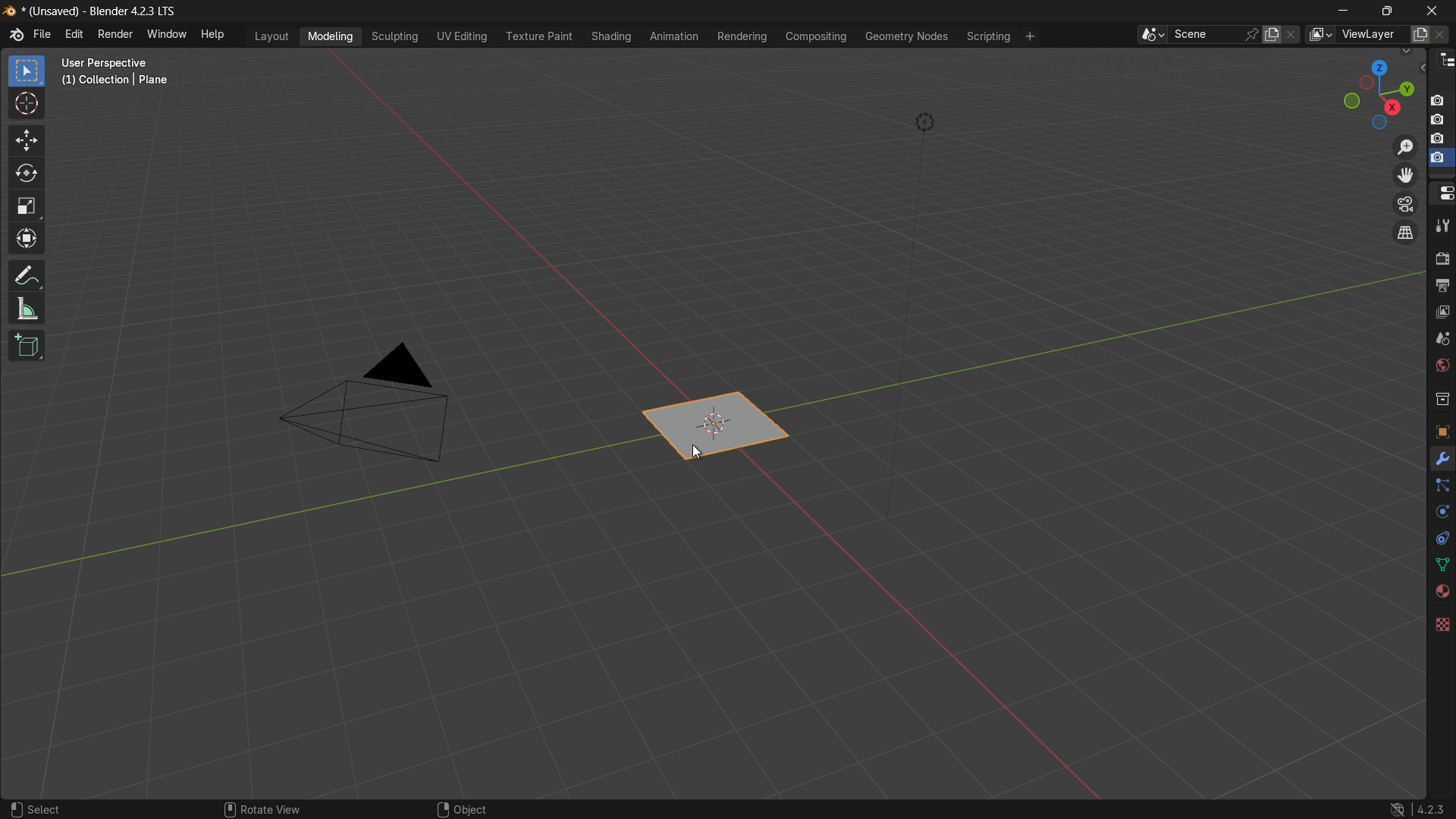  What do you see at coordinates (1379, 92) in the screenshot?
I see `rotate or preset viewpoint` at bounding box center [1379, 92].